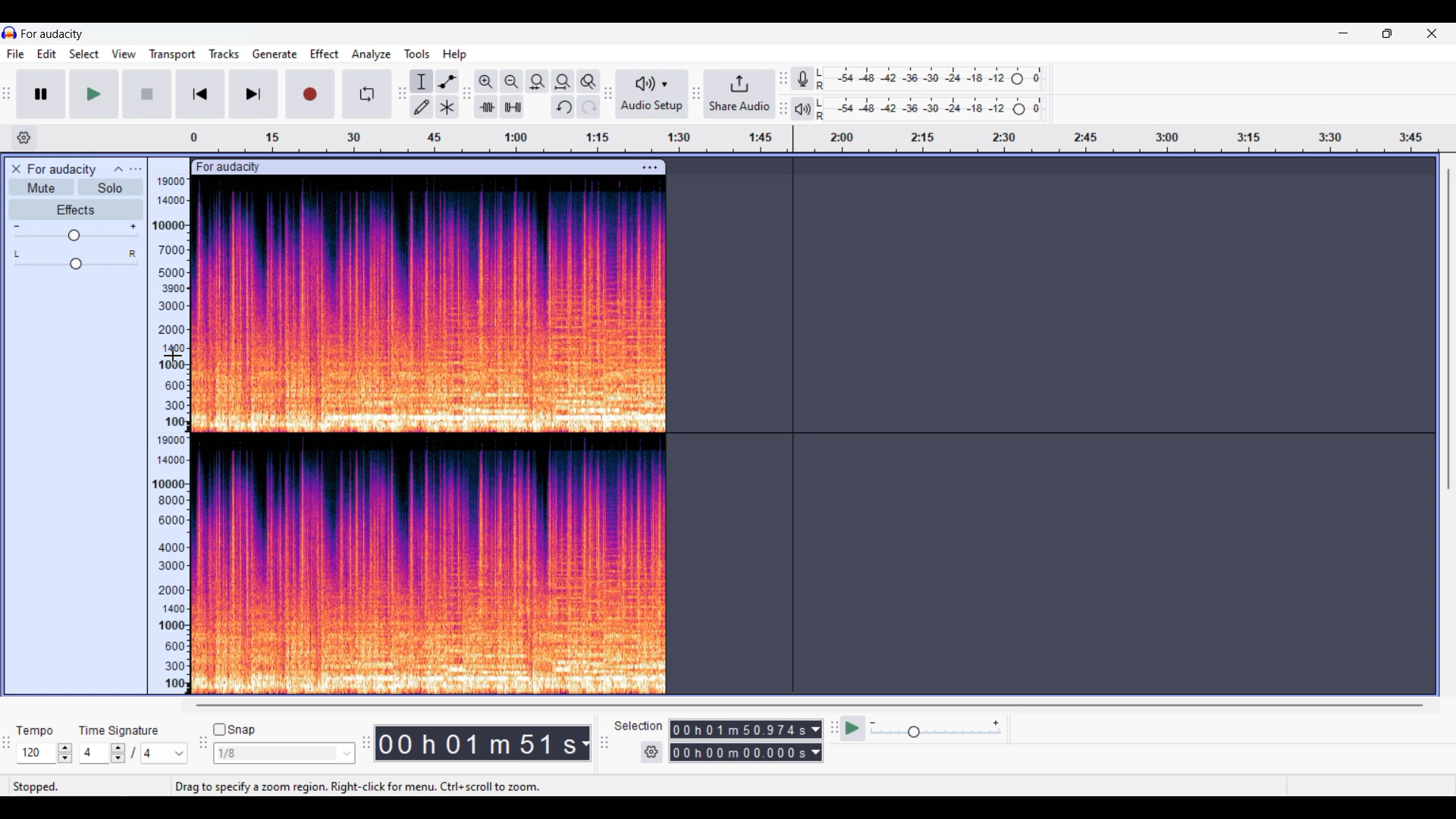 Image resolution: width=1456 pixels, height=819 pixels. I want to click on Tempo settings, so click(44, 753).